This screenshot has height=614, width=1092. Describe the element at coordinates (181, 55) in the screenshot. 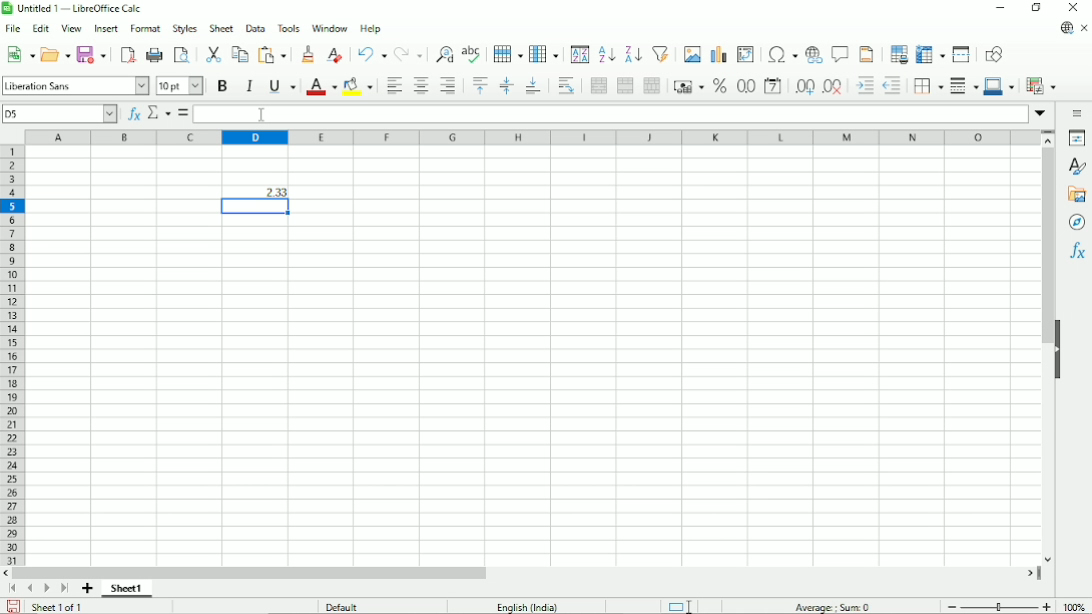

I see `Toggle print preview` at that location.